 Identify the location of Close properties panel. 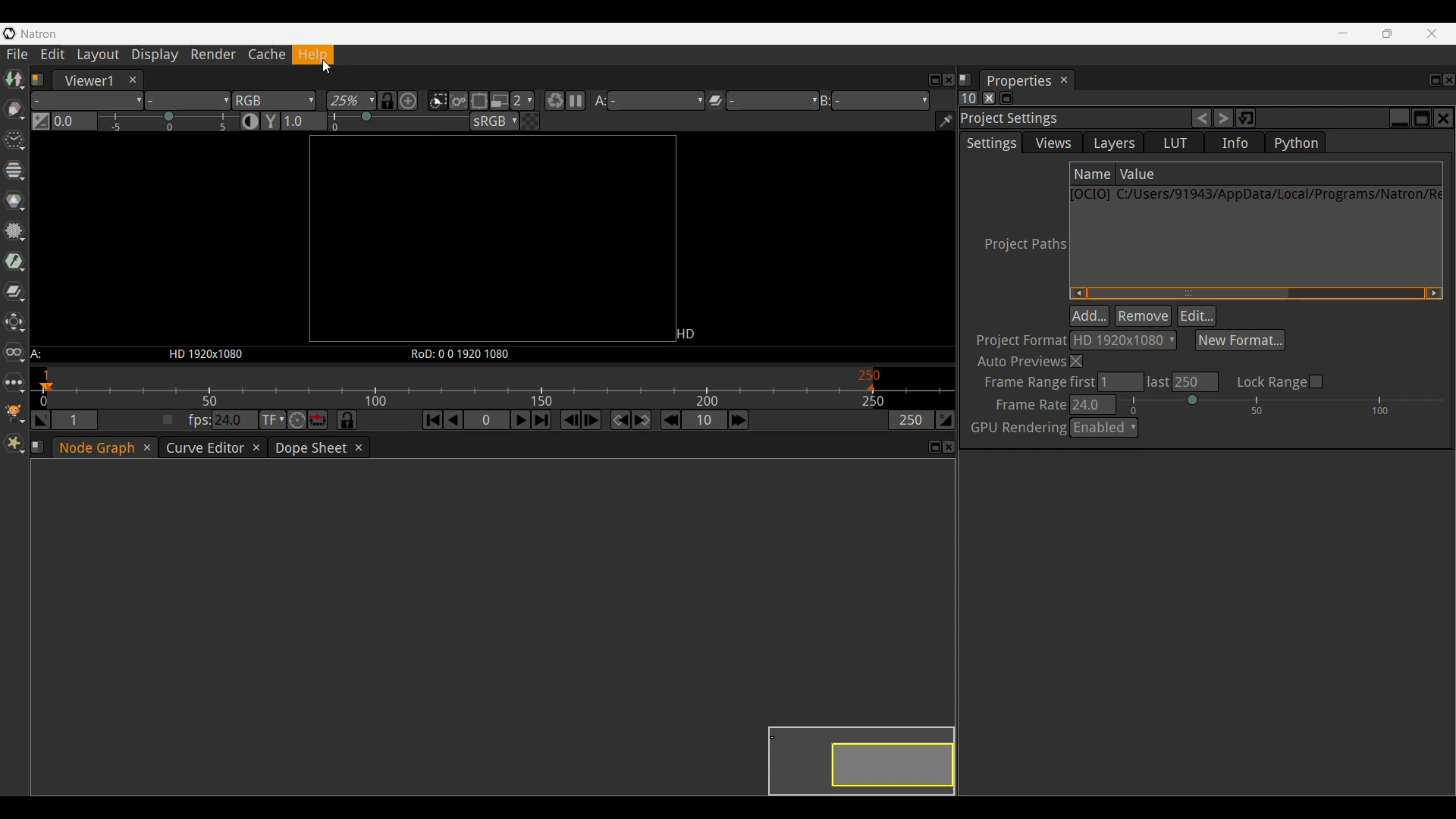
(1449, 80).